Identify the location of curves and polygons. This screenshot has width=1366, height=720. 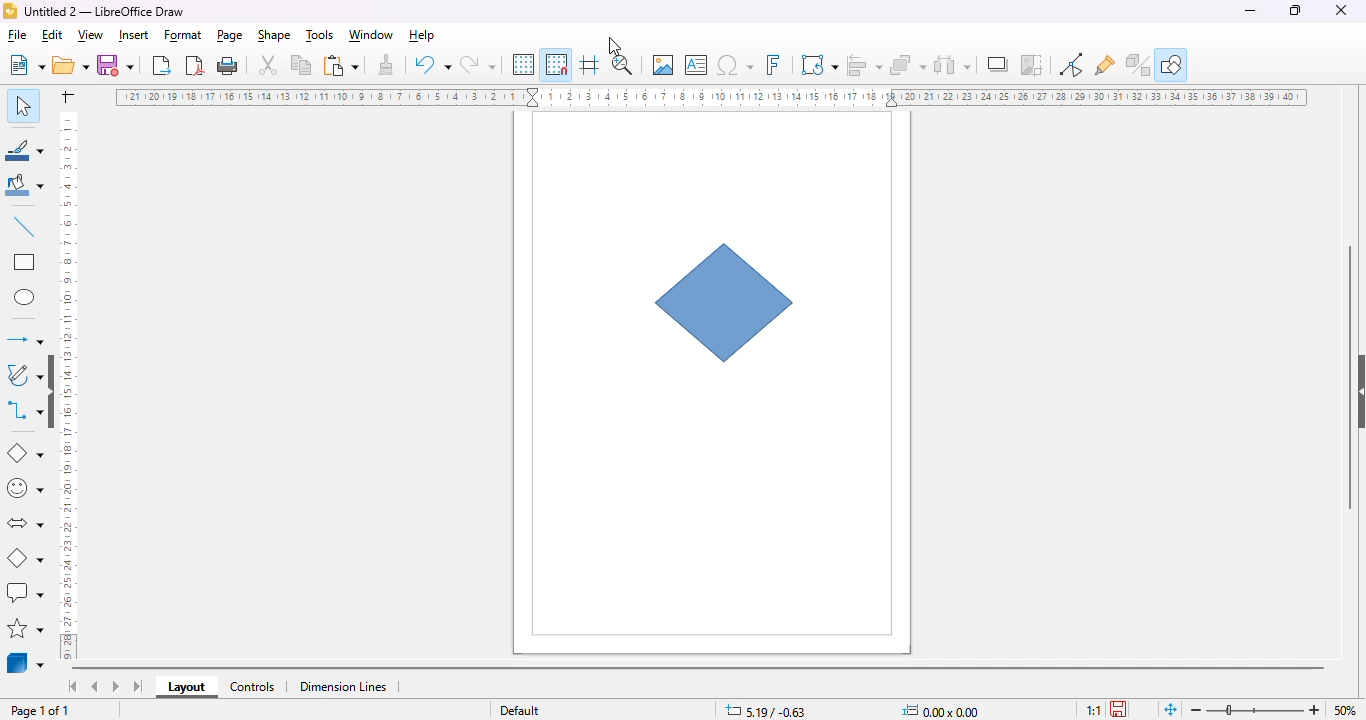
(25, 372).